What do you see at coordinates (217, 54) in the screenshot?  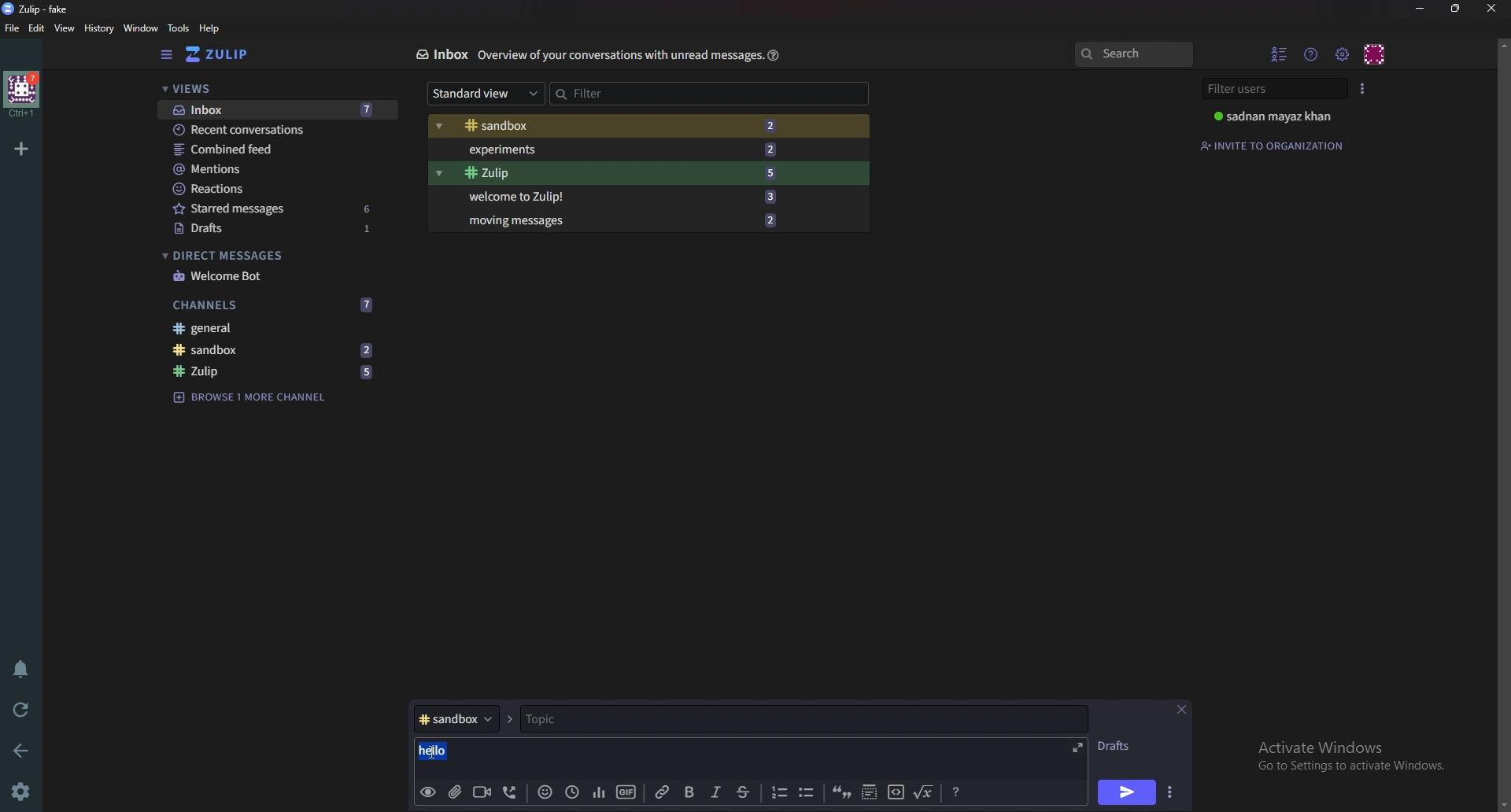 I see `zulip` at bounding box center [217, 54].